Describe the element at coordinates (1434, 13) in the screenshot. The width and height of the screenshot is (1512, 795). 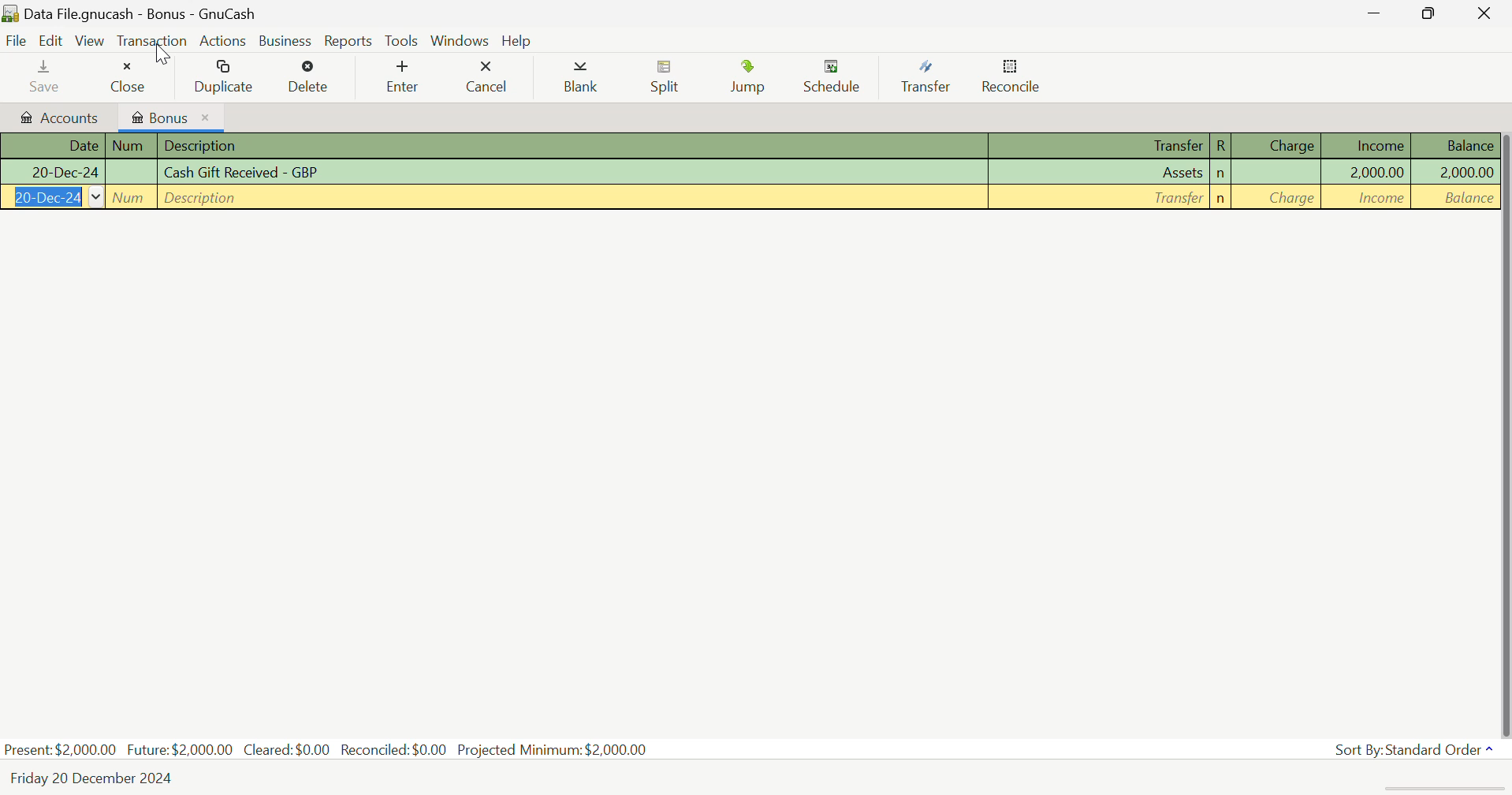
I see `Minimize` at that location.